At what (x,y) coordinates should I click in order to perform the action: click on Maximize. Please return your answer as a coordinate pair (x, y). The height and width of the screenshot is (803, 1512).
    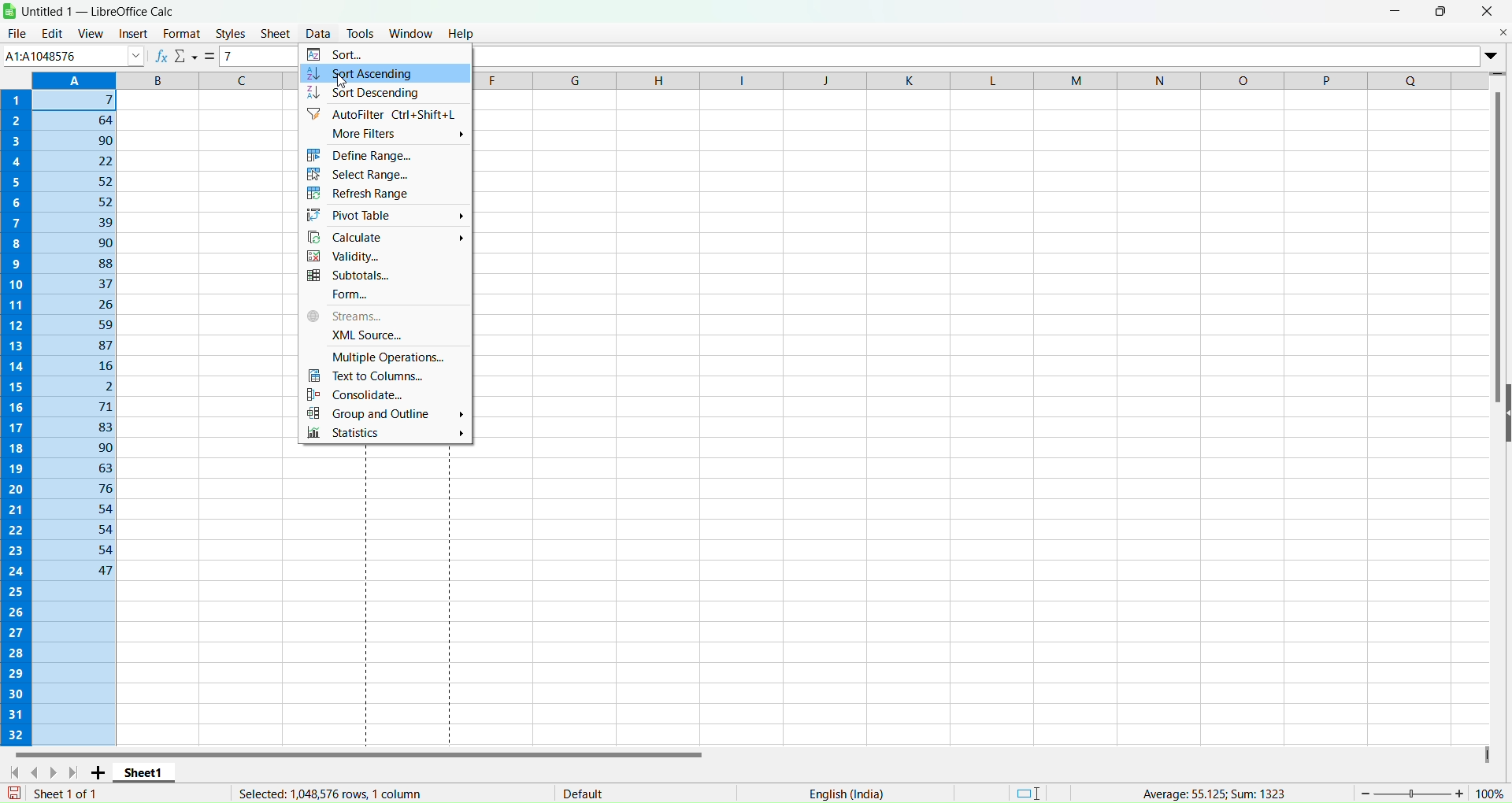
    Looking at the image, I should click on (1442, 10).